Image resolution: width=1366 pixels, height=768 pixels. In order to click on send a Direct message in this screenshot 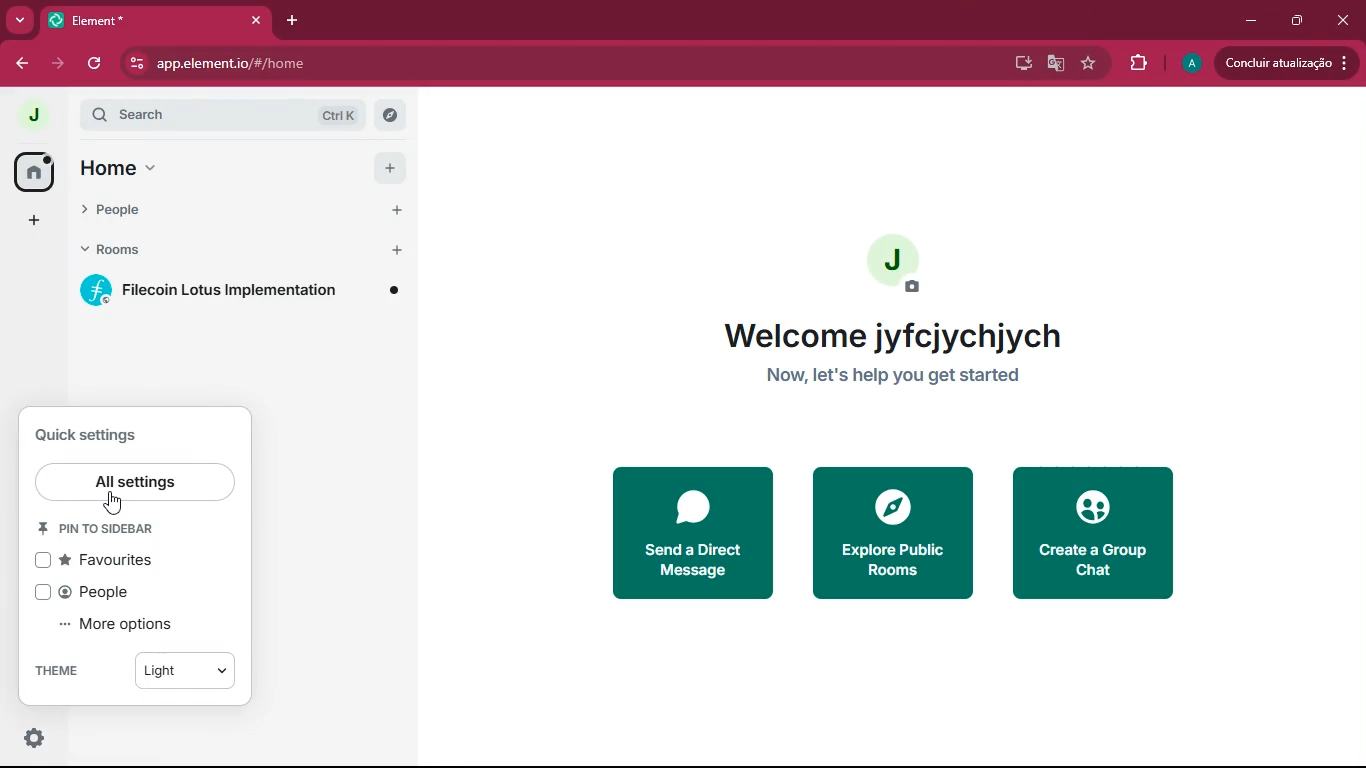, I will do `click(686, 537)`.